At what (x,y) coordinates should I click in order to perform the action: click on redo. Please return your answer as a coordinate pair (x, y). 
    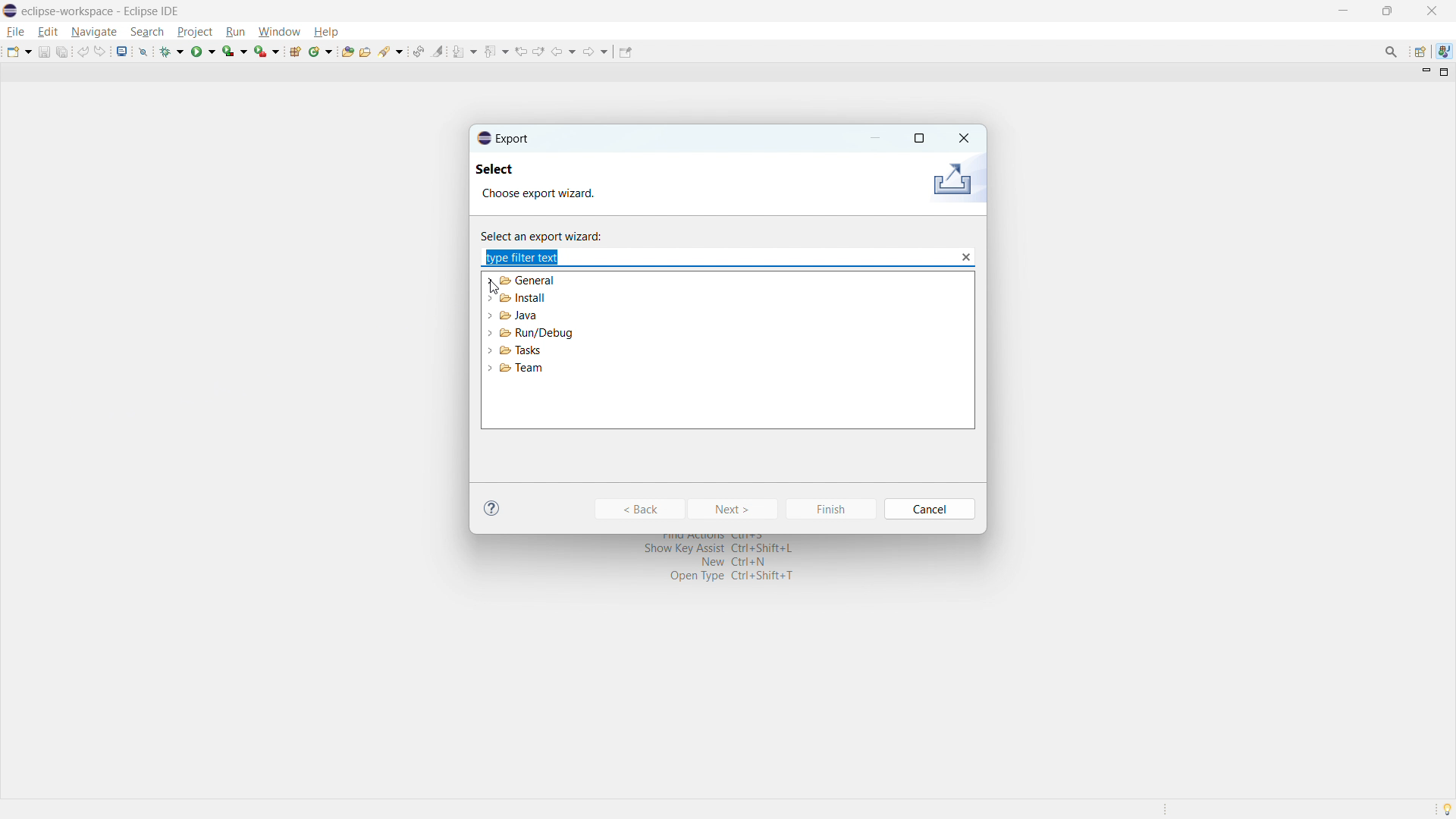
    Looking at the image, I should click on (100, 52).